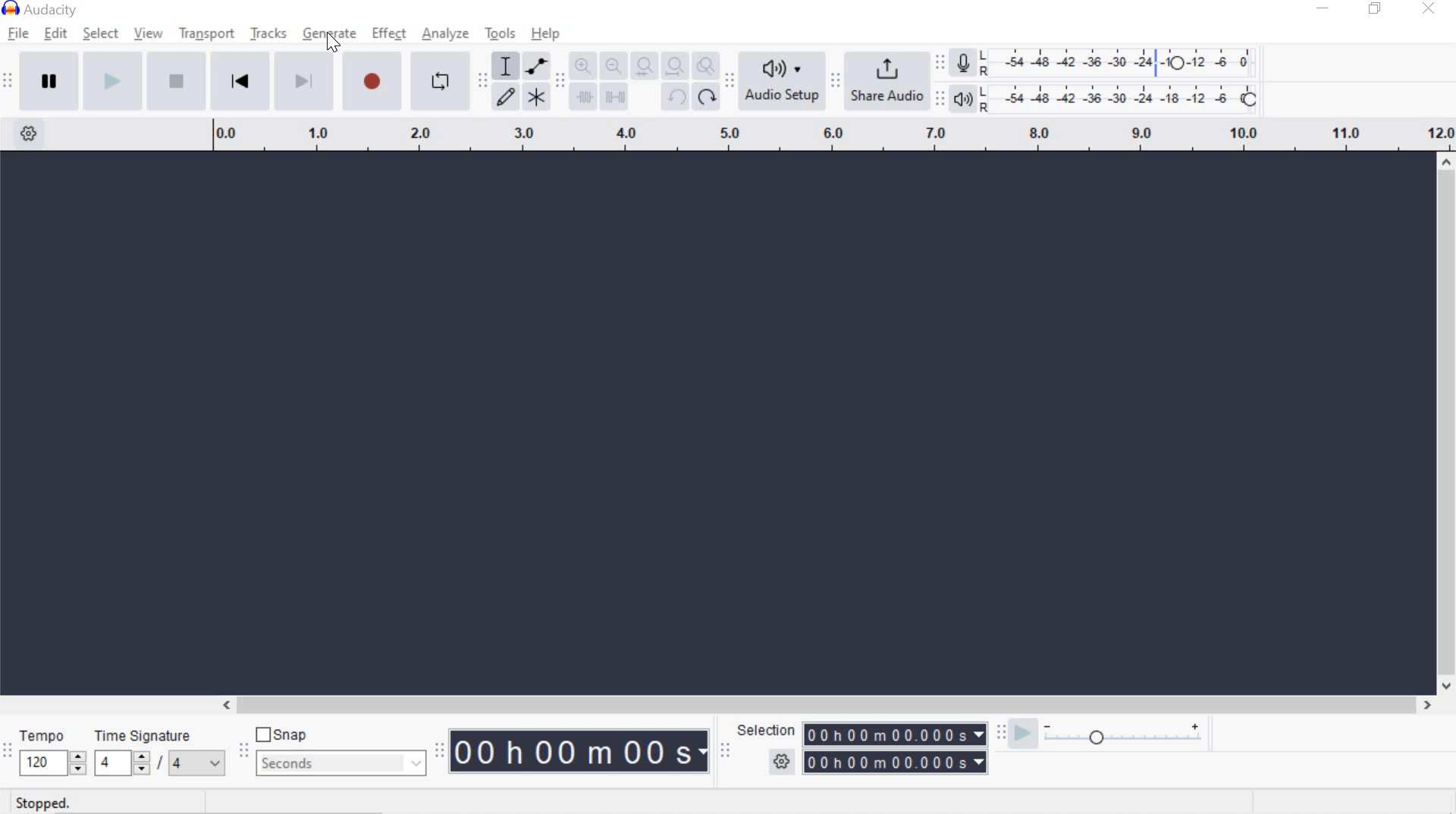 Image resolution: width=1456 pixels, height=814 pixels. Describe the element at coordinates (582, 67) in the screenshot. I see `Zoom In` at that location.